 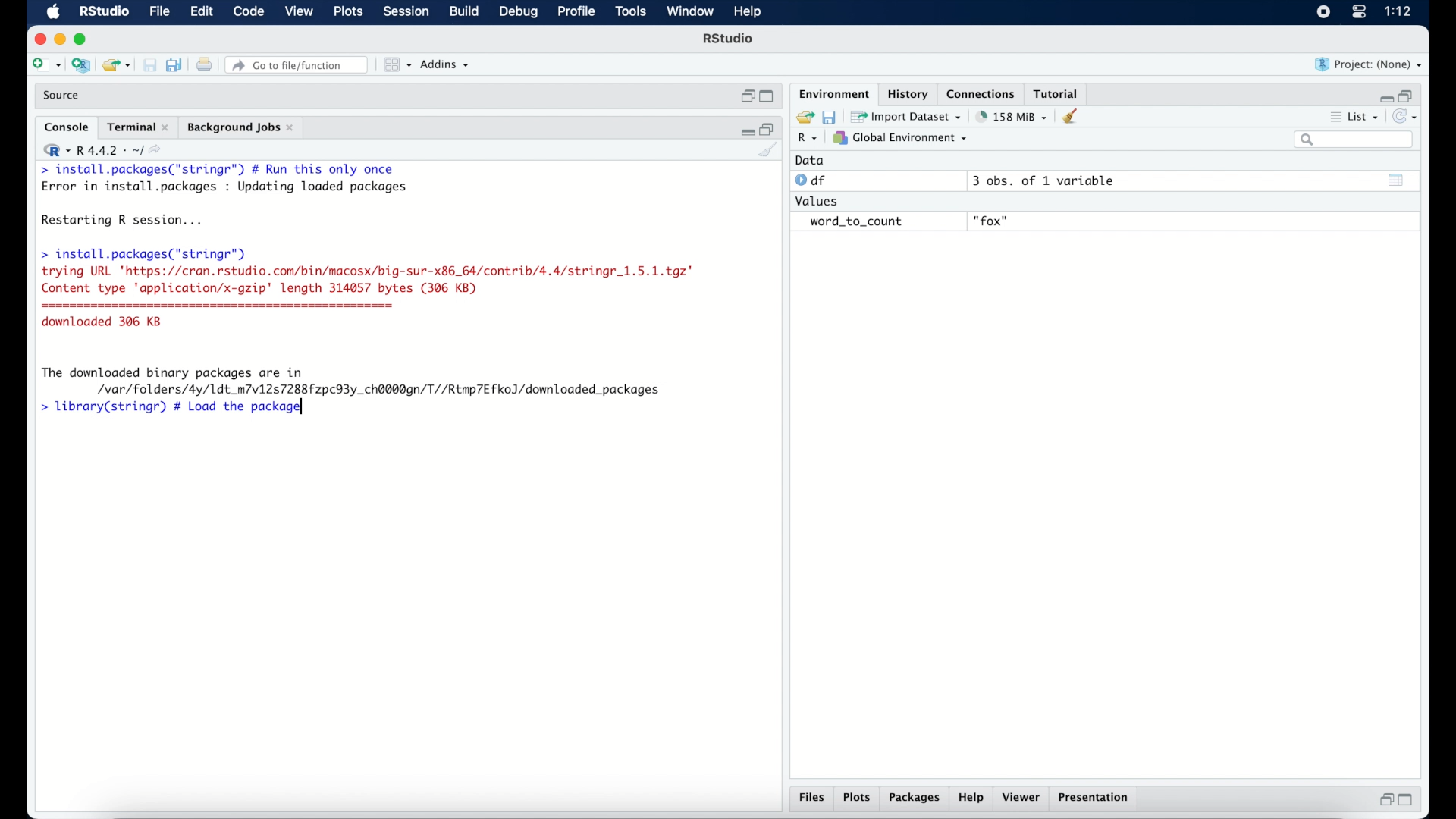 What do you see at coordinates (221, 170) in the screenshot?
I see `> install.packages("stringr") # Run this only once|` at bounding box center [221, 170].